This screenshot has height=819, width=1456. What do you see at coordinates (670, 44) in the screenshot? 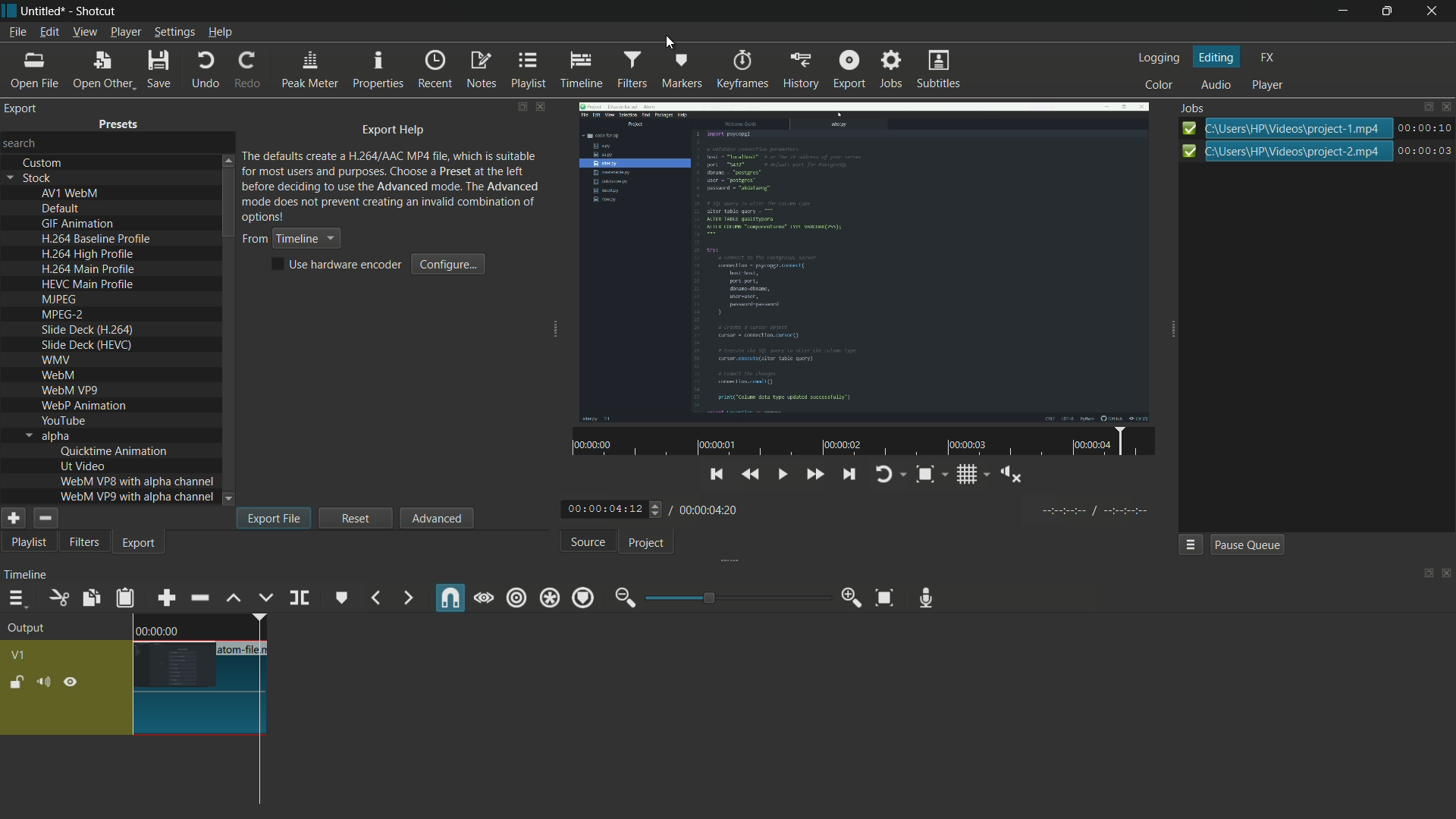
I see `cursor` at bounding box center [670, 44].